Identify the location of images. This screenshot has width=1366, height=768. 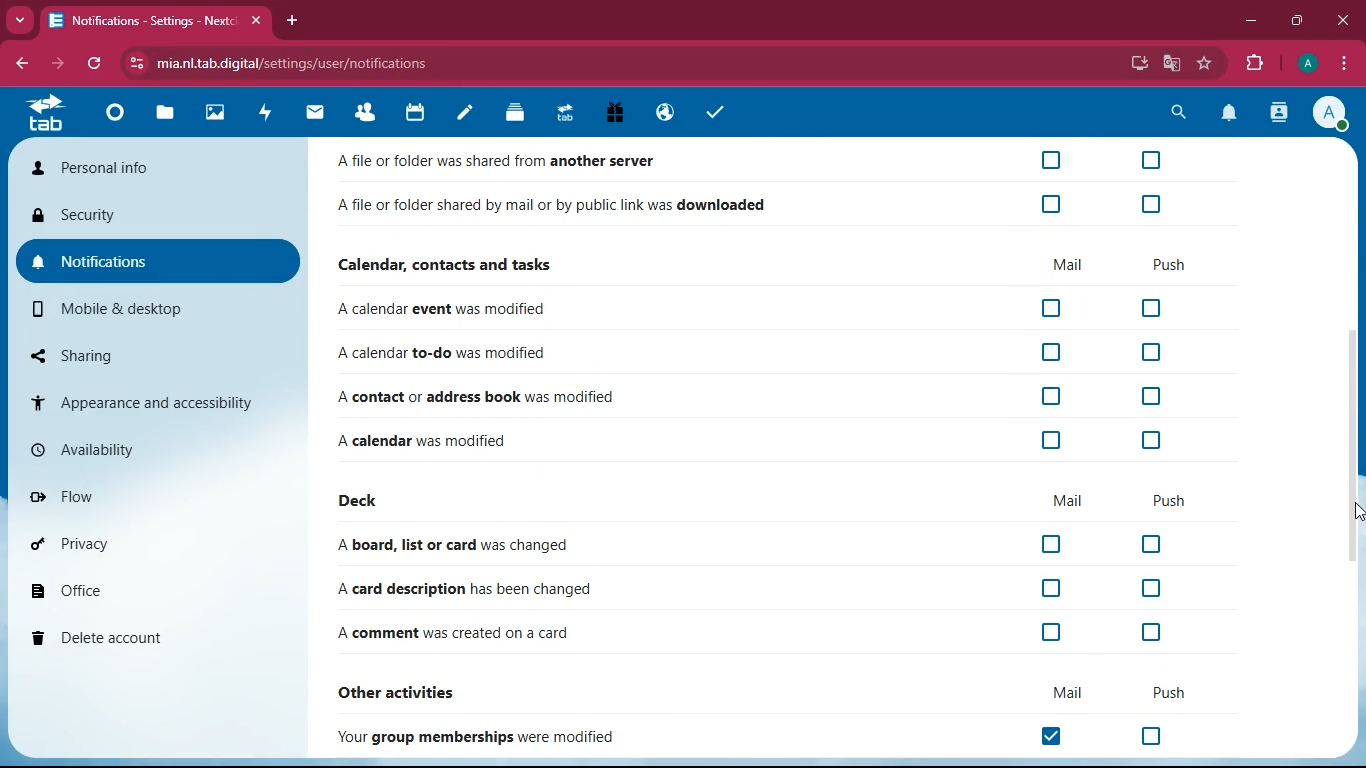
(213, 114).